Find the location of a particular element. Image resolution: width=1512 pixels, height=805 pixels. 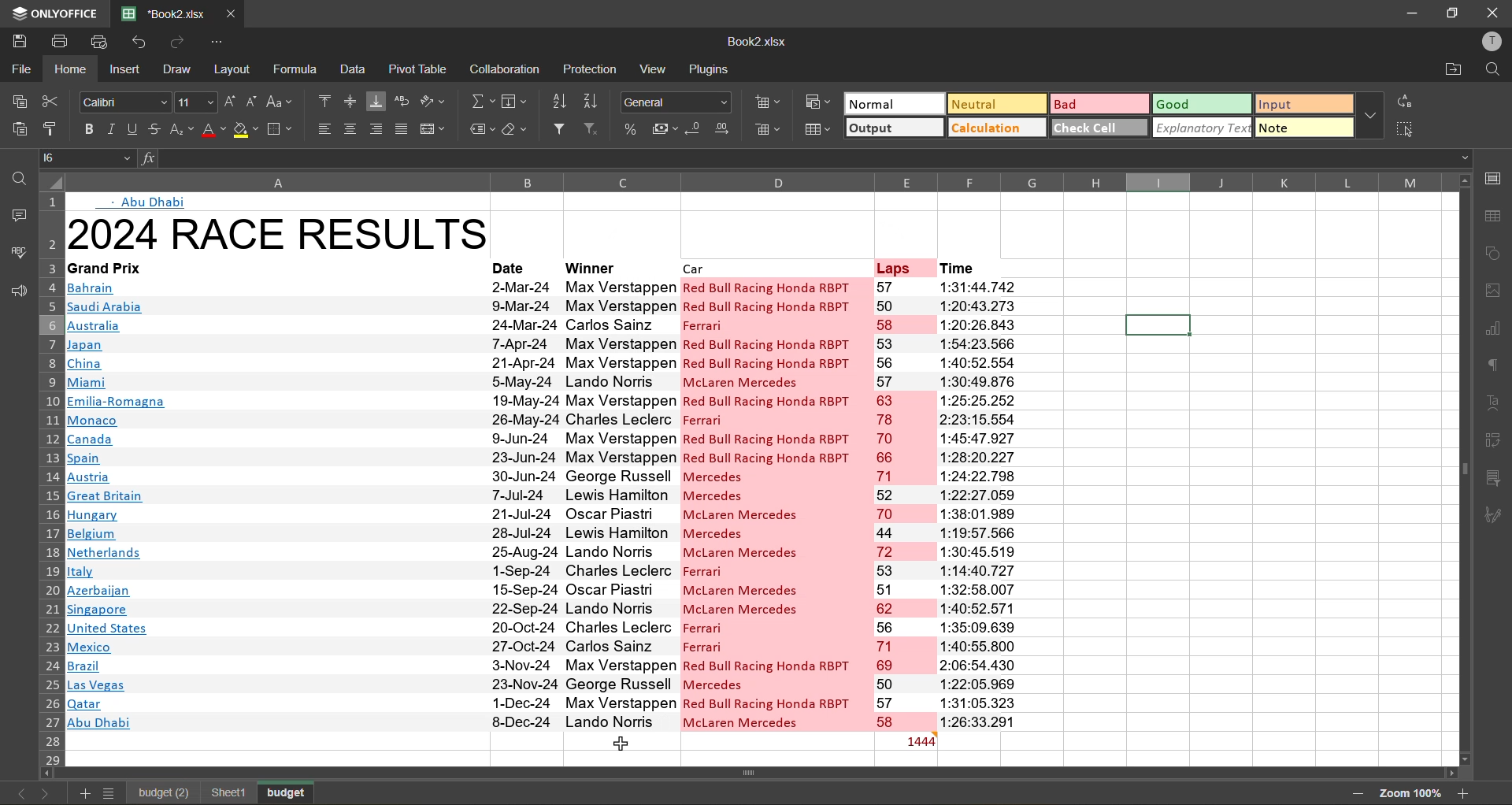

view is located at coordinates (657, 69).